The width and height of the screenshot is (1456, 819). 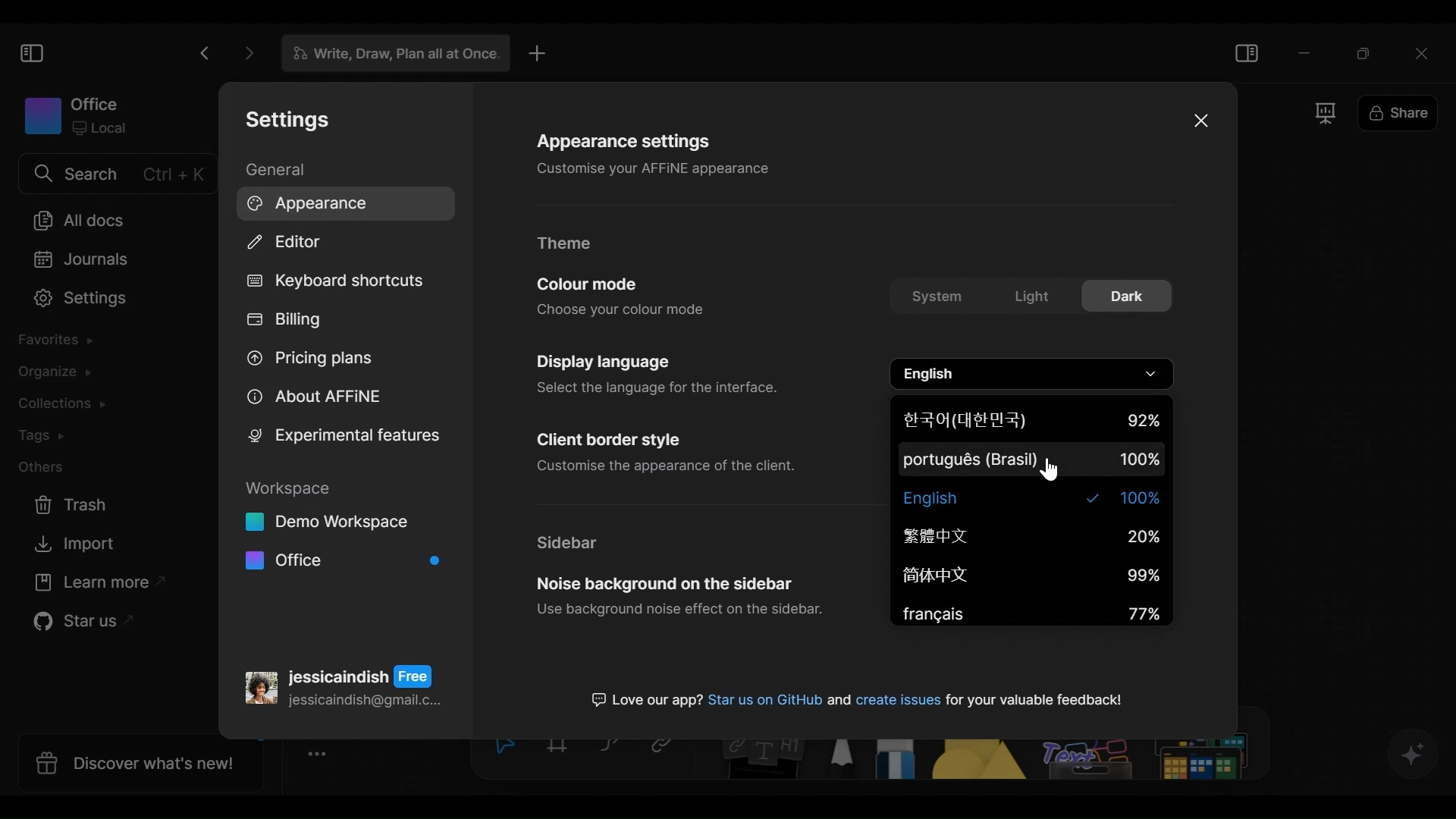 What do you see at coordinates (570, 244) in the screenshot?
I see `Theme` at bounding box center [570, 244].